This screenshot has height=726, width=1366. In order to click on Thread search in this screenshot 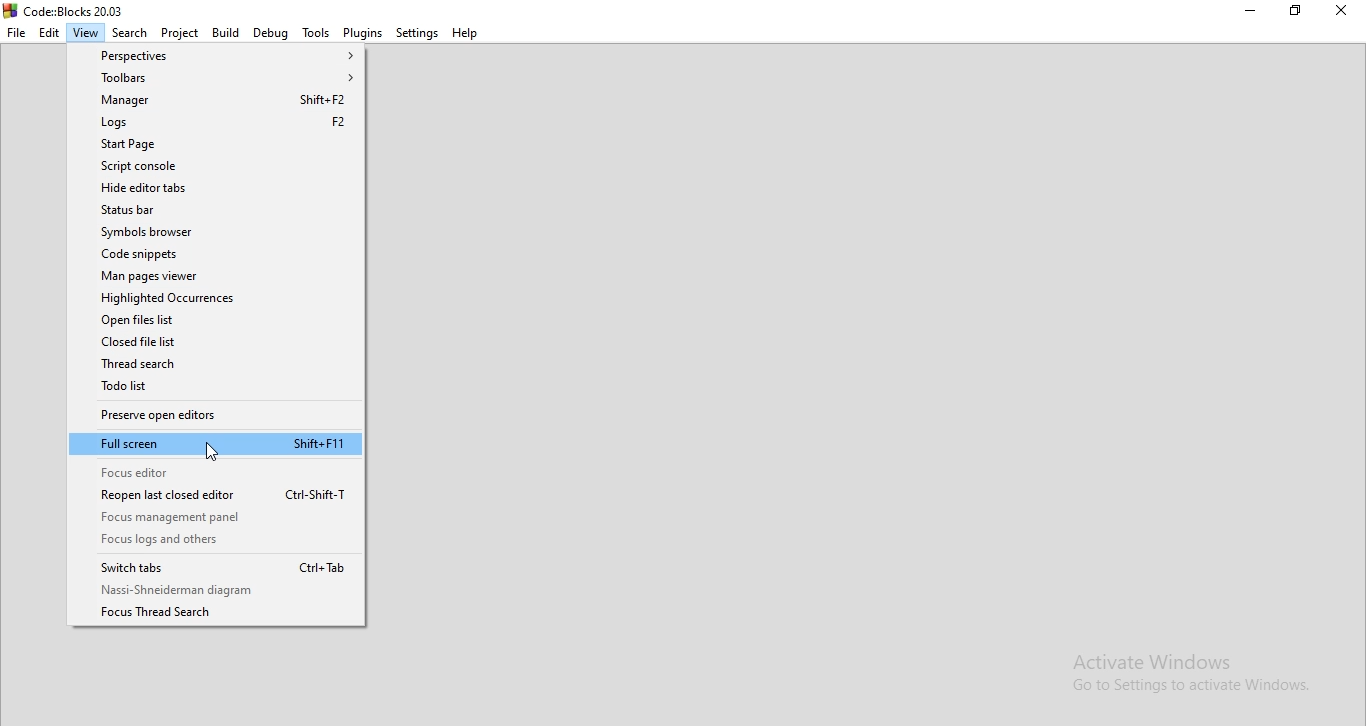, I will do `click(215, 364)`.